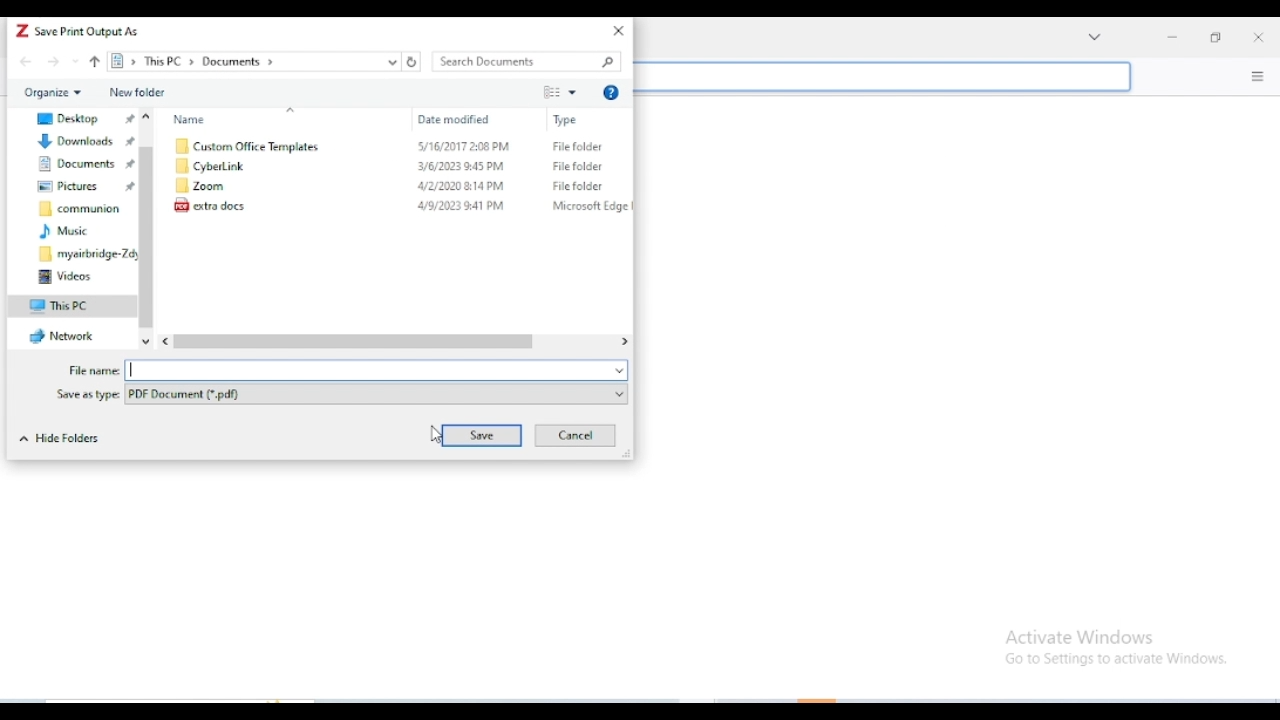 The height and width of the screenshot is (720, 1280). I want to click on Cursor, so click(436, 437).